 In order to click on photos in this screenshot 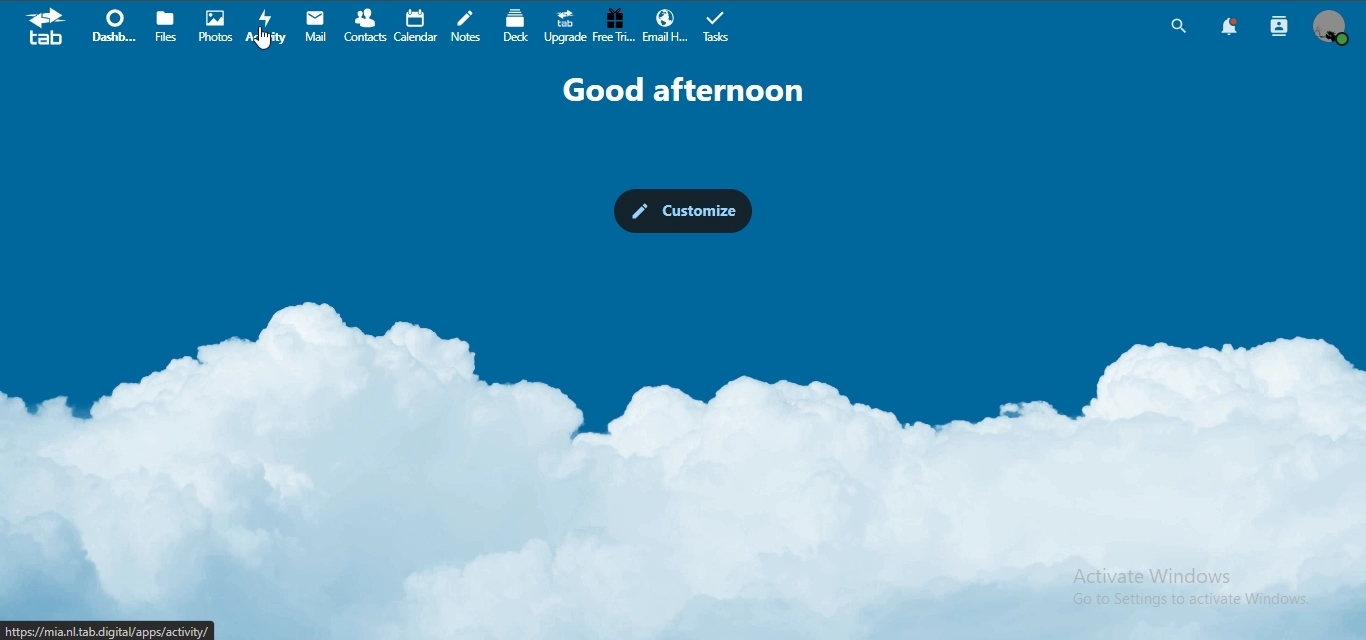, I will do `click(214, 25)`.